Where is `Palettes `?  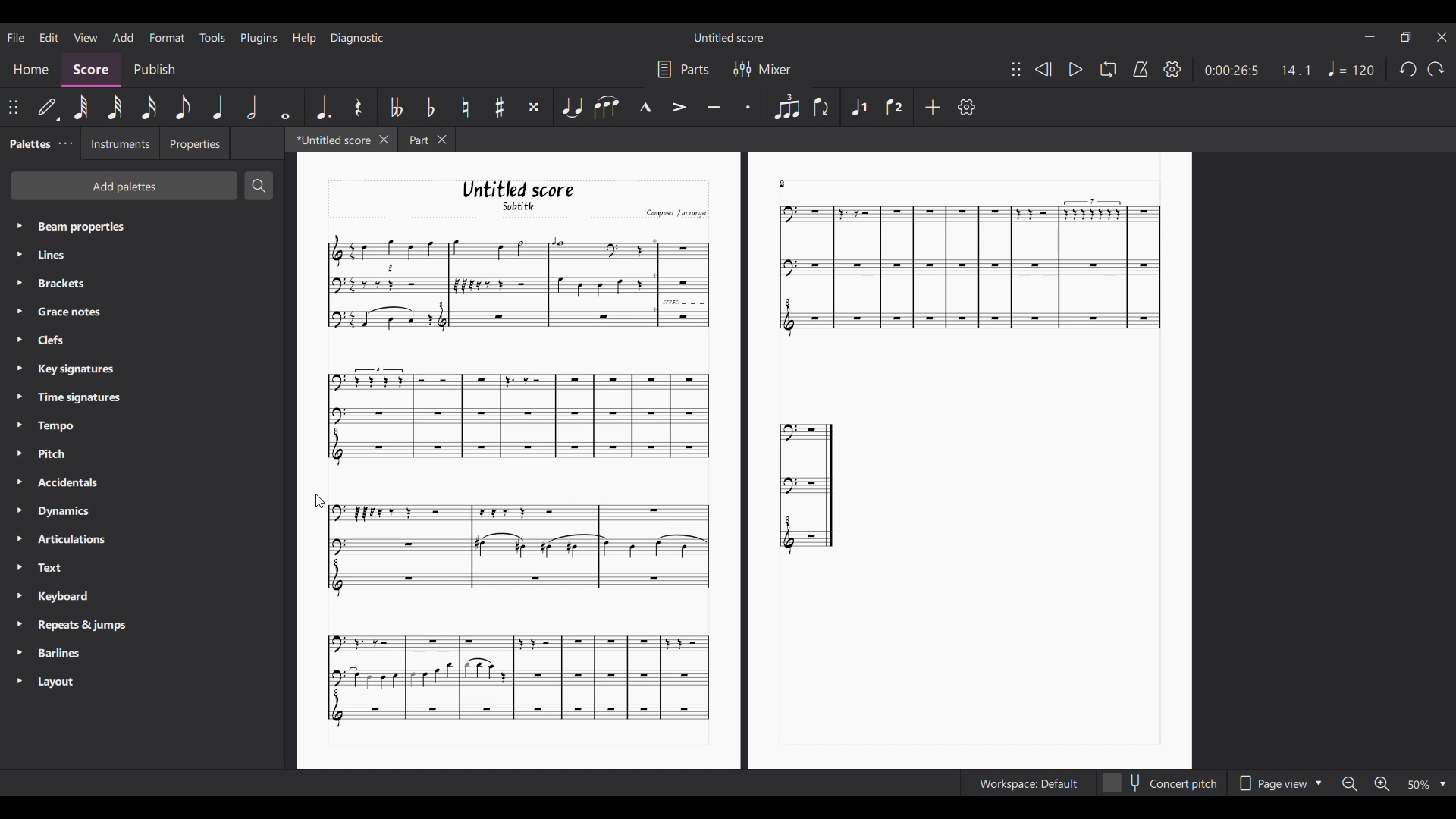
Palettes  is located at coordinates (27, 142).